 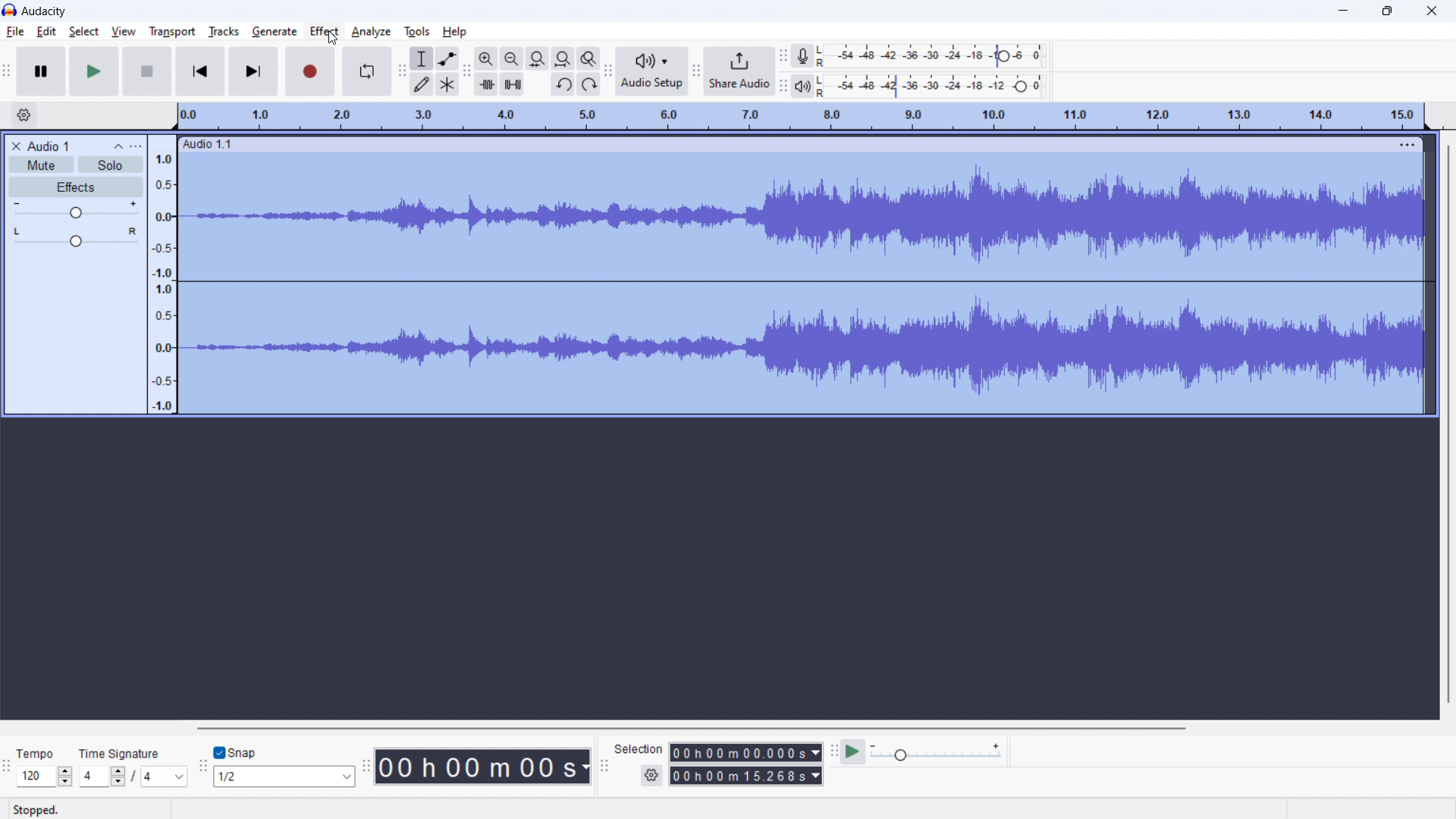 I want to click on playback speed, so click(x=937, y=752).